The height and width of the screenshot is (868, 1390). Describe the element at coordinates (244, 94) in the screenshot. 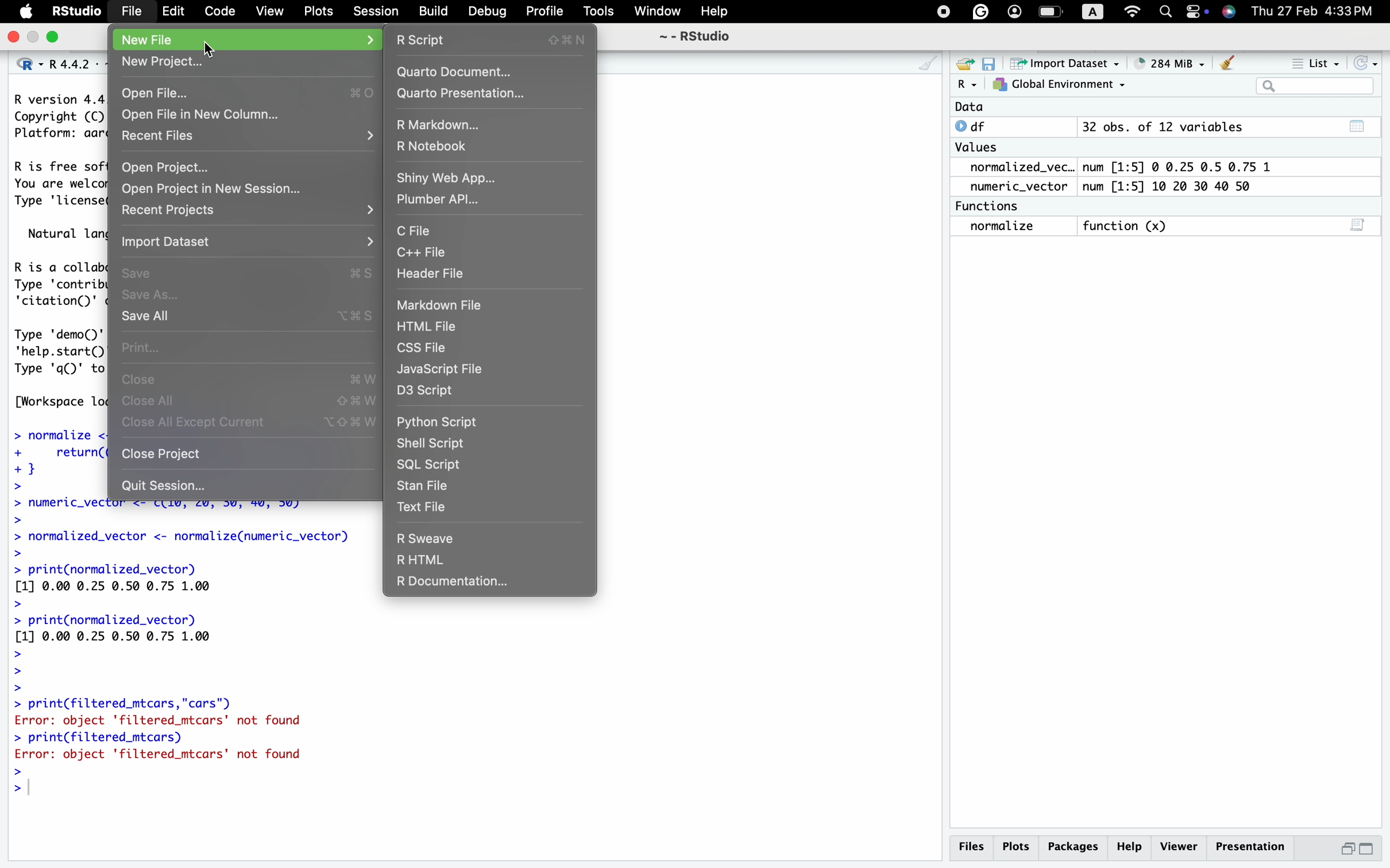

I see `OPen File...` at that location.